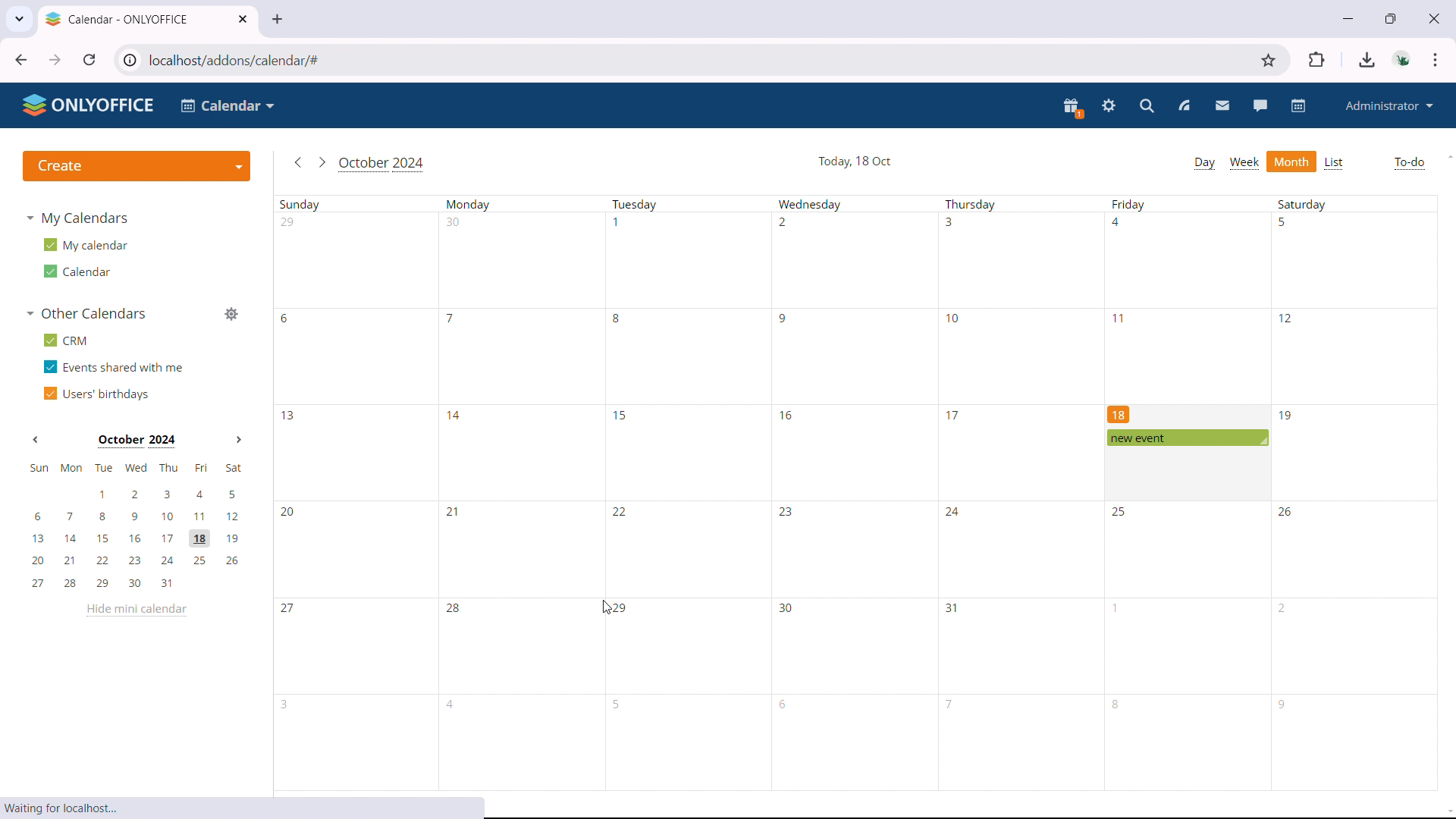 This screenshot has height=819, width=1456. Describe the element at coordinates (1404, 59) in the screenshot. I see `accounts` at that location.